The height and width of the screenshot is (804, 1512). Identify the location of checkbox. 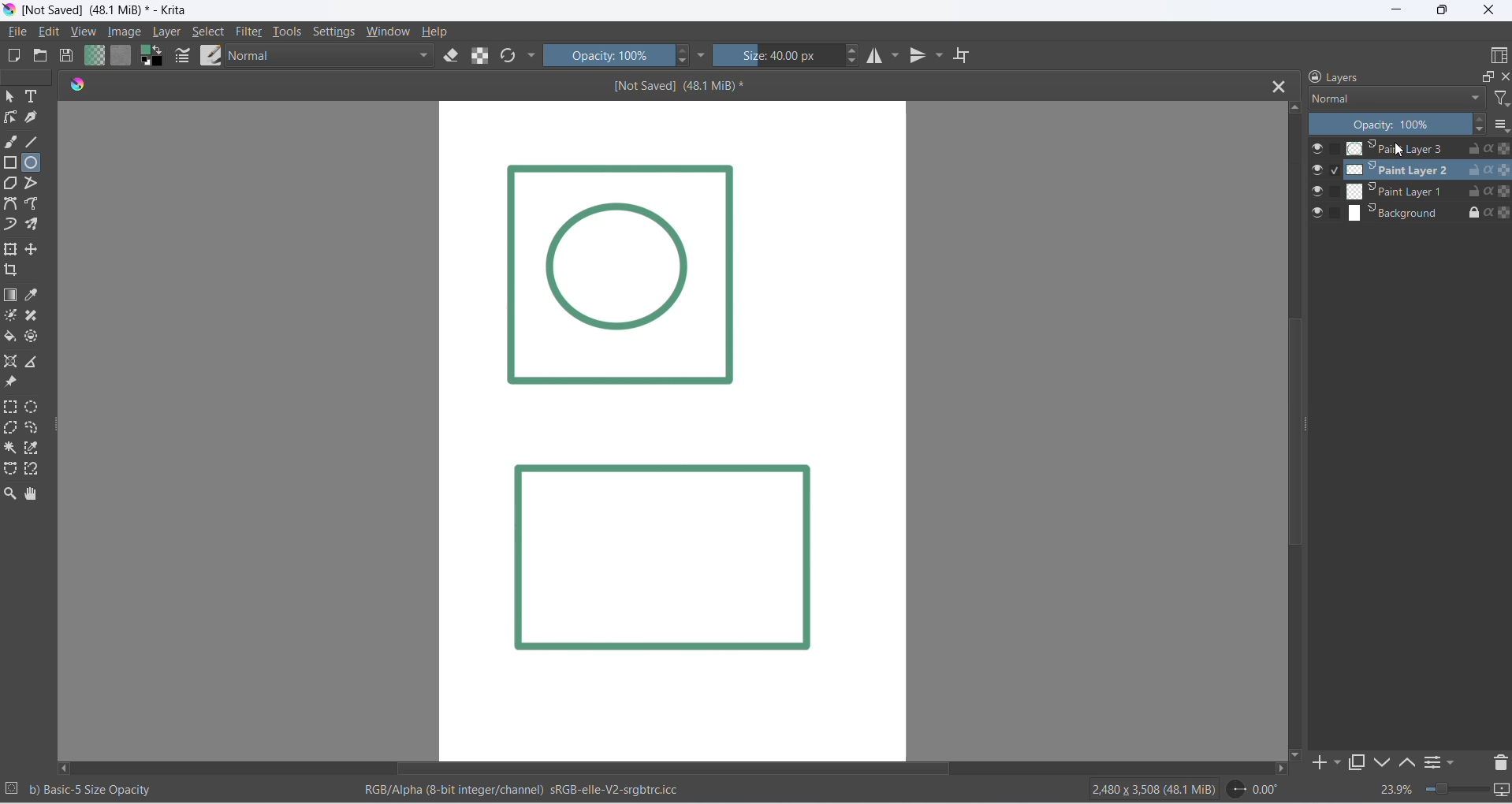
(1334, 189).